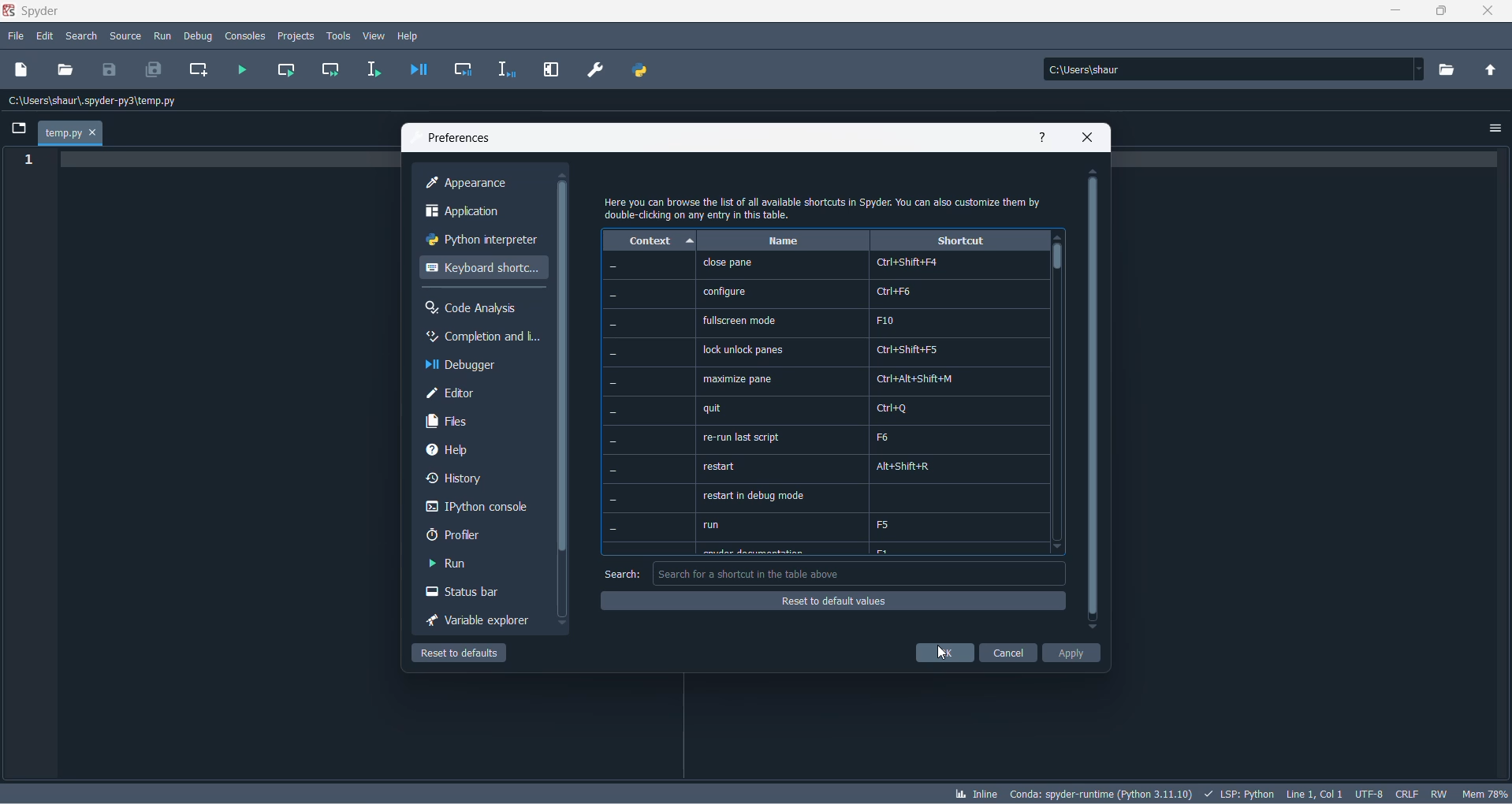 This screenshot has height=804, width=1512. I want to click on keyboard shortcut, so click(482, 269).